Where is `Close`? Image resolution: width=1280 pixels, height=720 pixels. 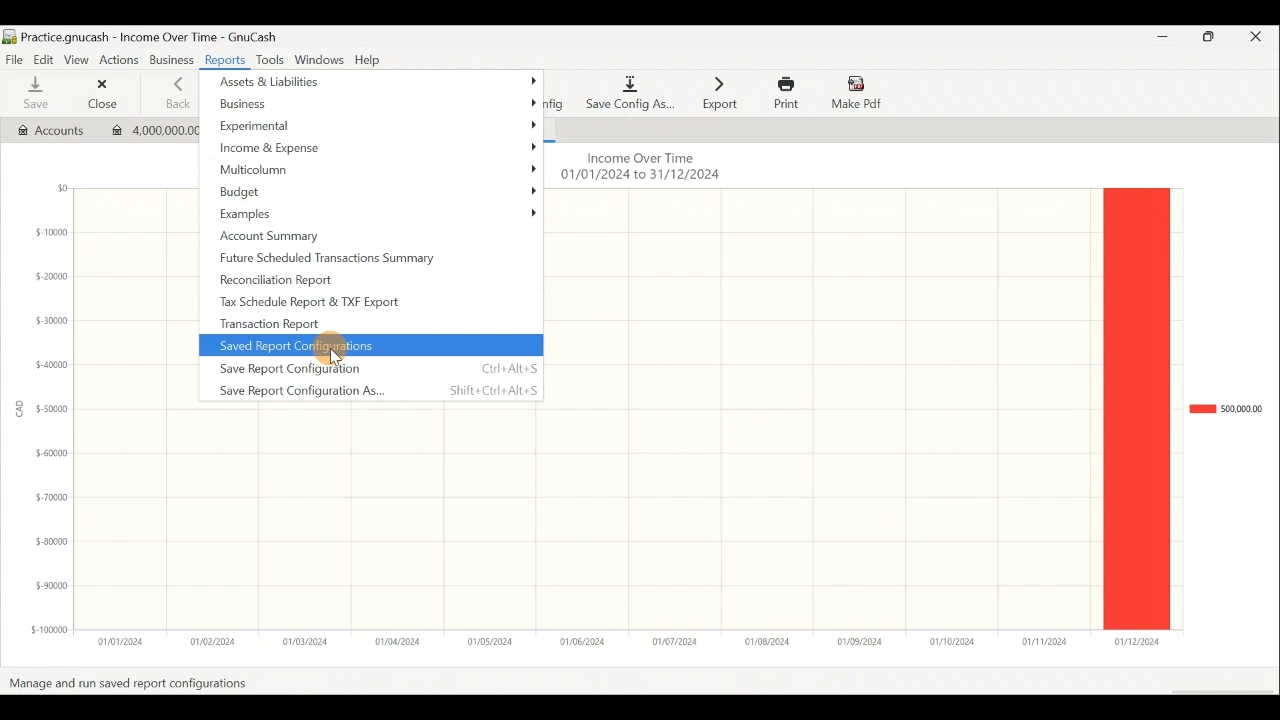 Close is located at coordinates (1263, 40).